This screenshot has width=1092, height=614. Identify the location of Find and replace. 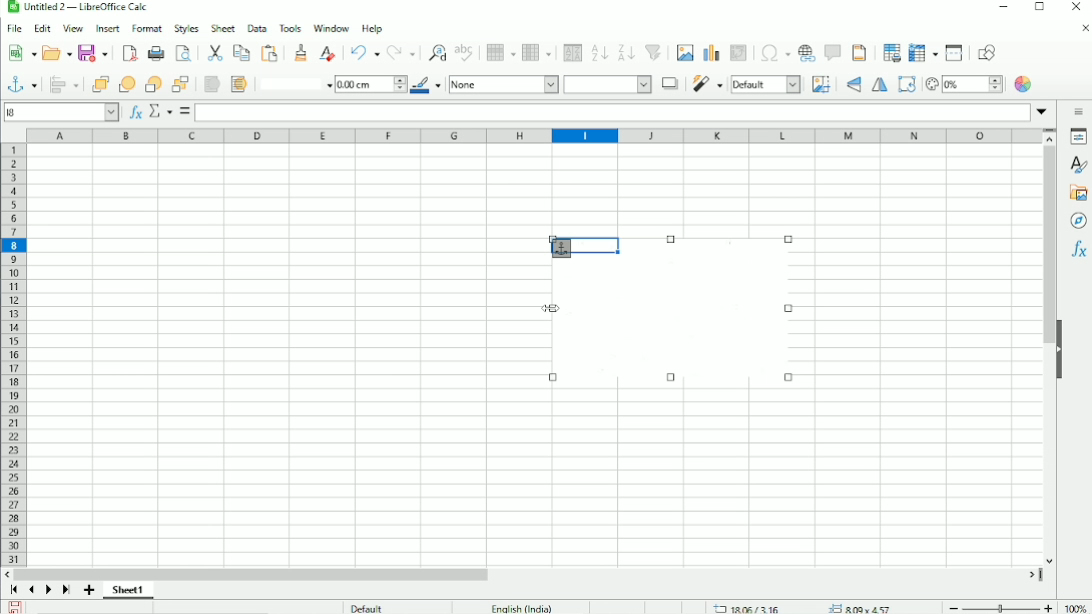
(435, 51).